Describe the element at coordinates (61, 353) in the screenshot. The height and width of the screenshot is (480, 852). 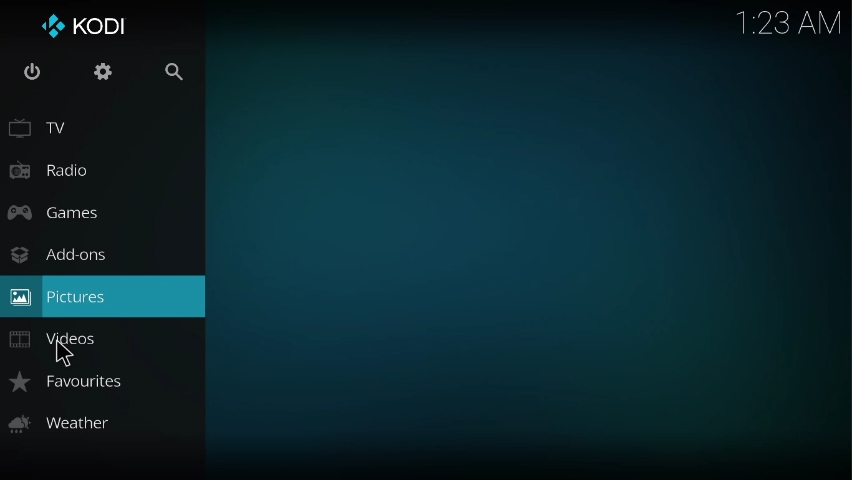
I see `cursor` at that location.